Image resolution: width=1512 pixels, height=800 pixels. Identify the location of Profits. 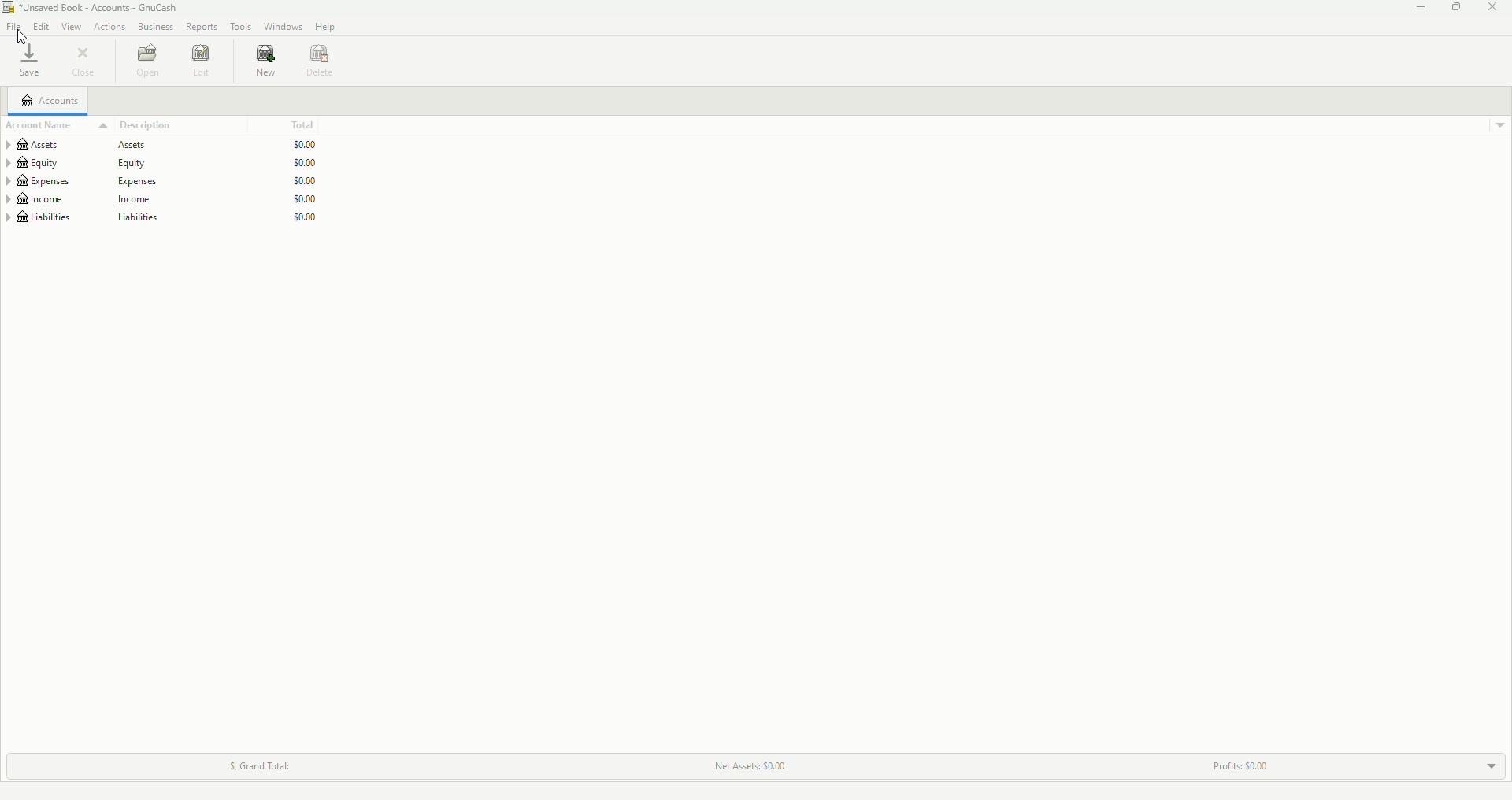
(1237, 761).